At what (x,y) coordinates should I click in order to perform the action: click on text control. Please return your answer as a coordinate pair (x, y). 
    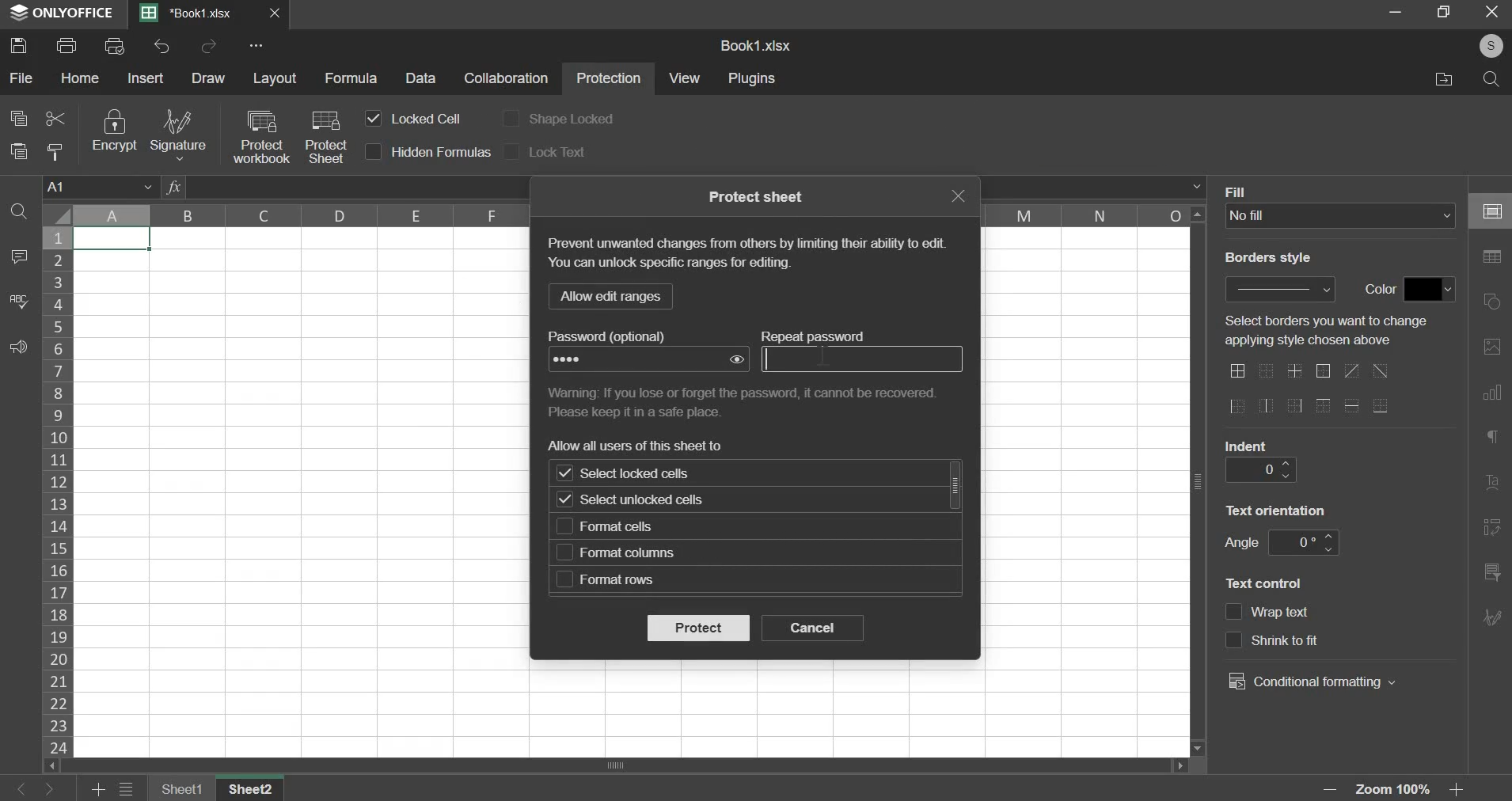
    Looking at the image, I should click on (1311, 640).